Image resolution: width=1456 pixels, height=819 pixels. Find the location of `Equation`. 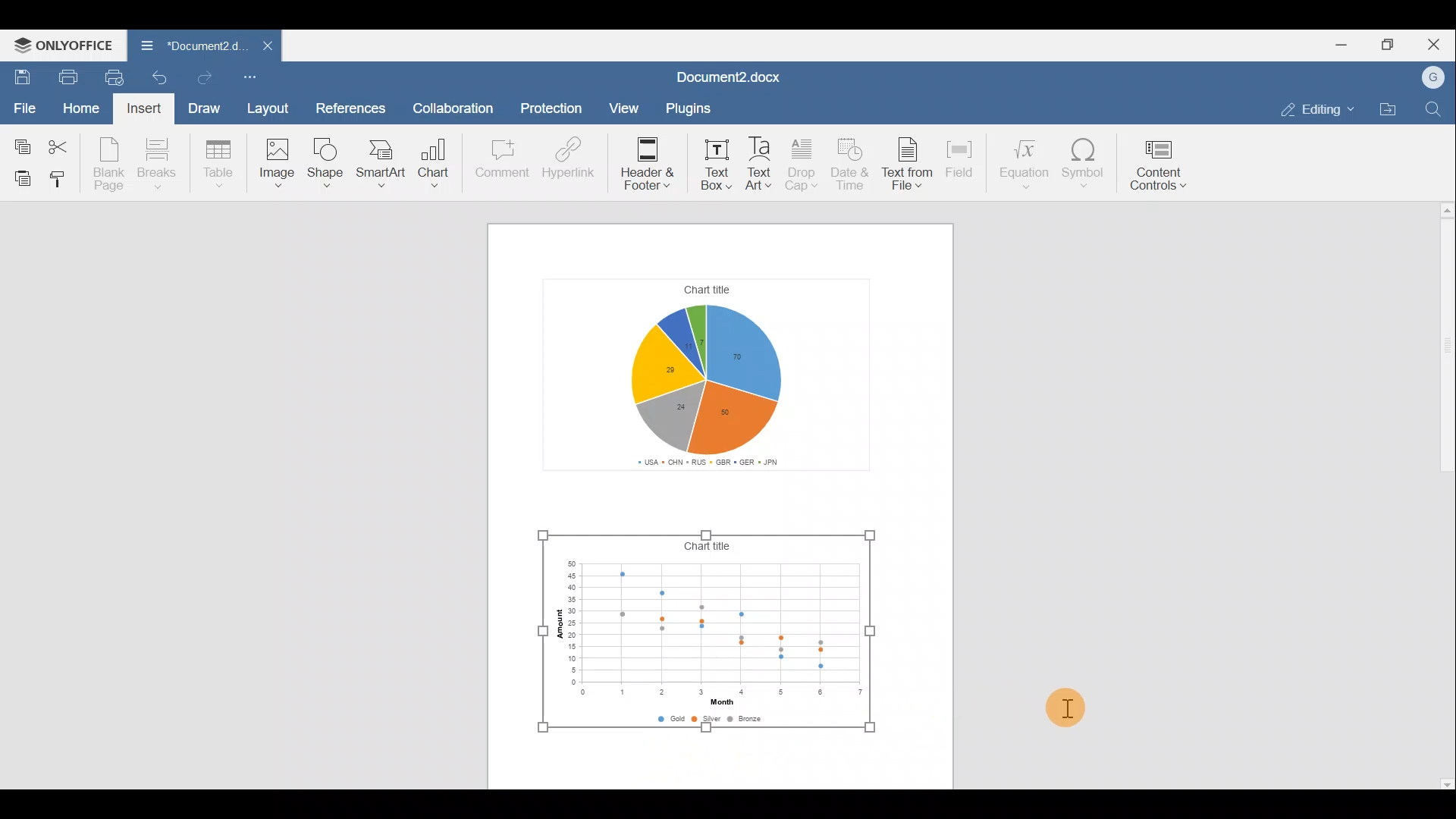

Equation is located at coordinates (1022, 163).